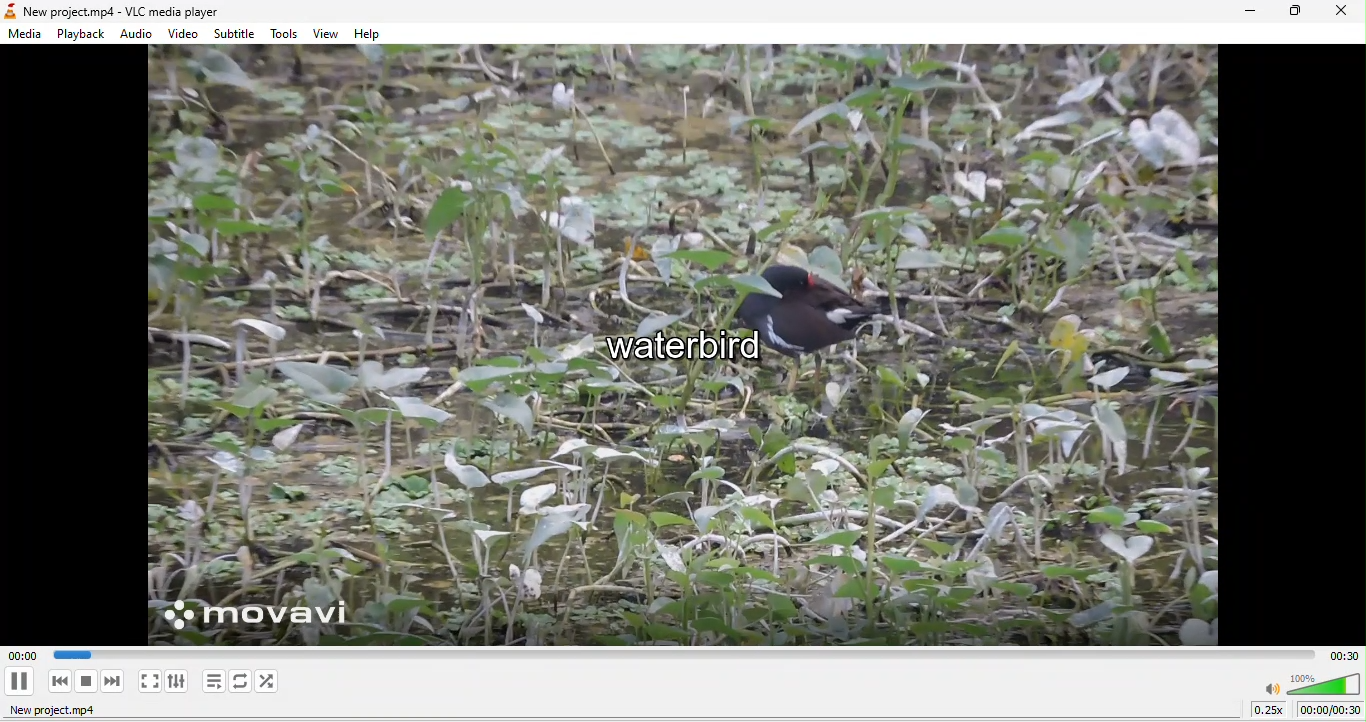 The width and height of the screenshot is (1366, 722). What do you see at coordinates (373, 33) in the screenshot?
I see `help` at bounding box center [373, 33].